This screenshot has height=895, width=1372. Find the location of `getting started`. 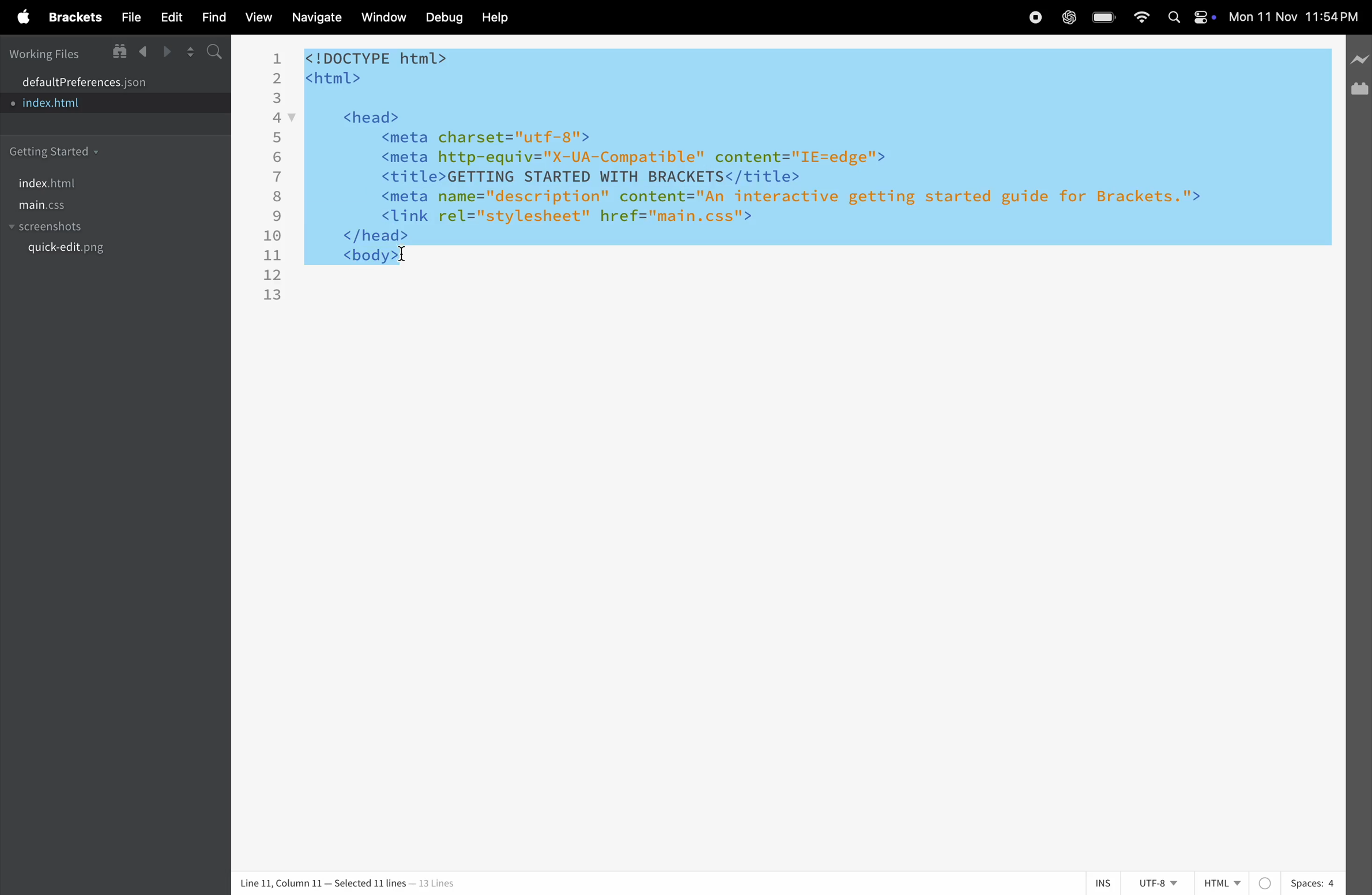

getting started is located at coordinates (61, 149).